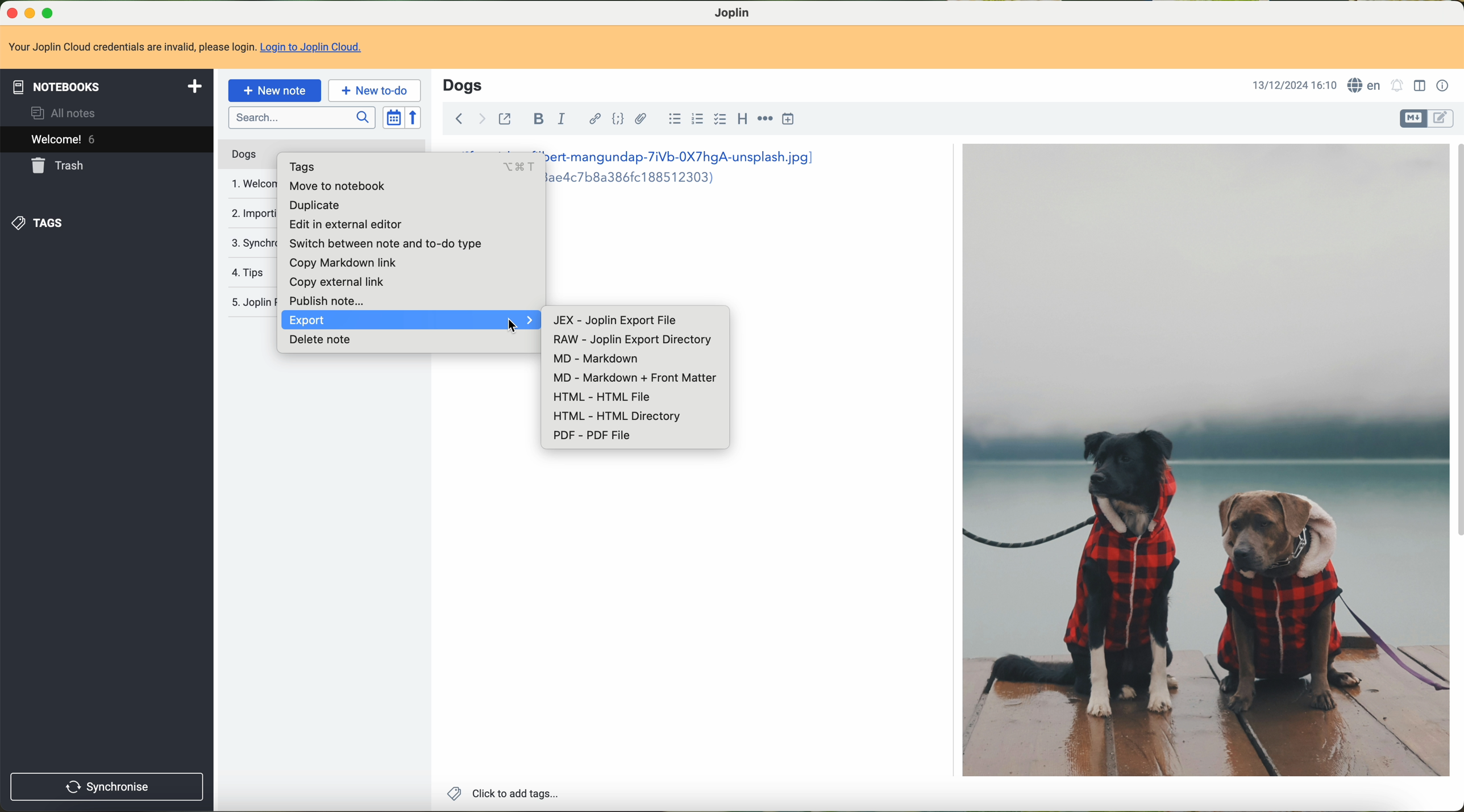 Image resolution: width=1464 pixels, height=812 pixels. What do you see at coordinates (252, 272) in the screenshot?
I see `tips note` at bounding box center [252, 272].